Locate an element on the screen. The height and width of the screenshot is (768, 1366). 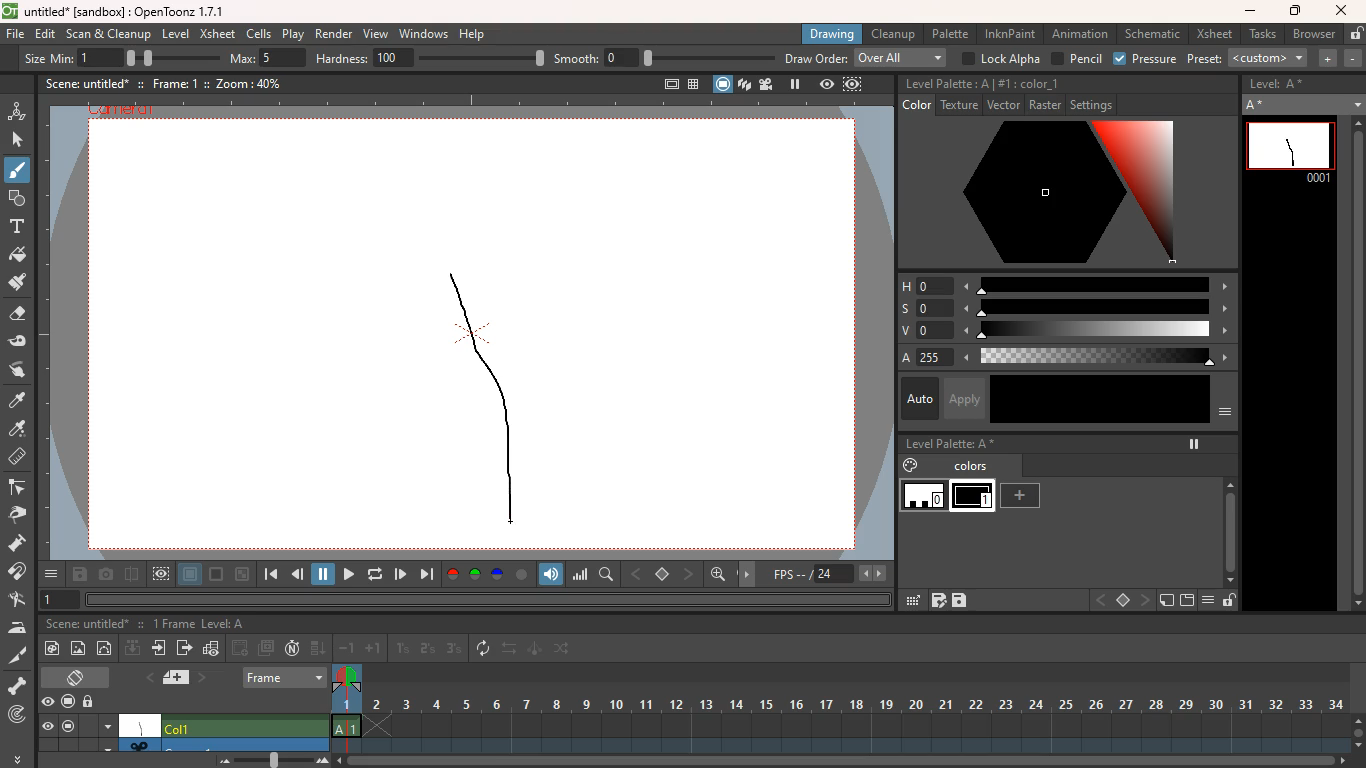
h is located at coordinates (919, 286).